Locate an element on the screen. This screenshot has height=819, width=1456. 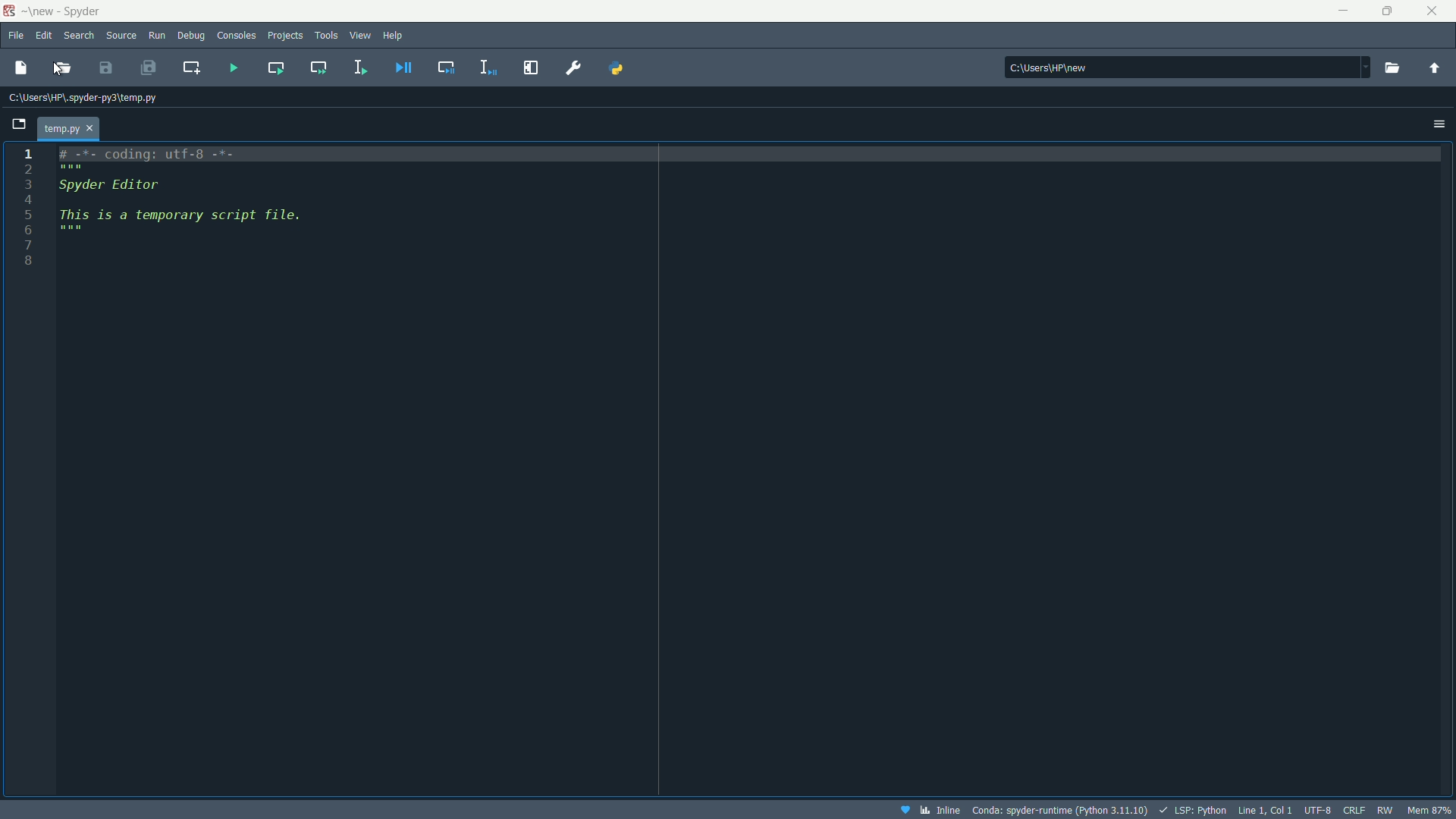
App icon is located at coordinates (11, 12).